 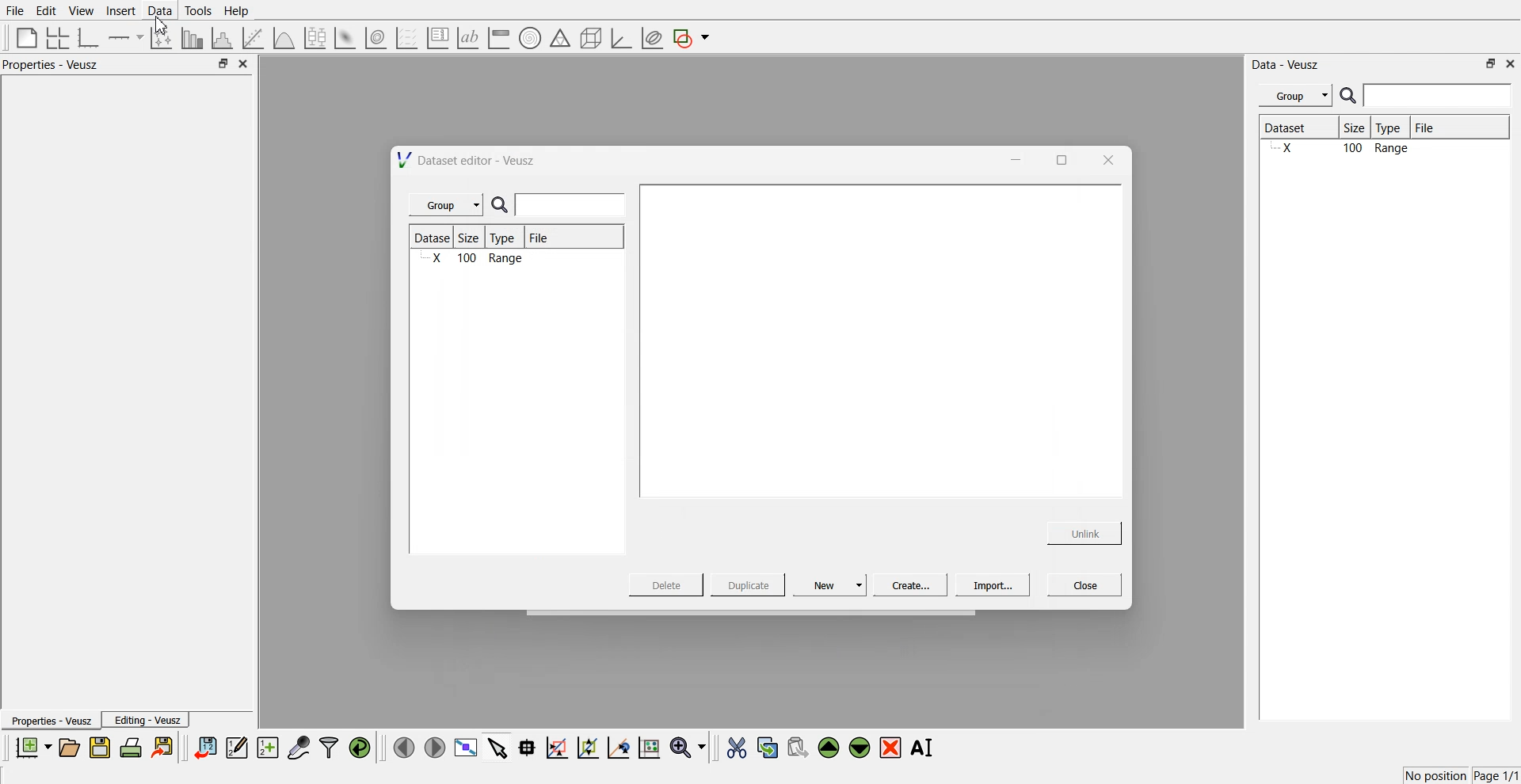 What do you see at coordinates (135, 747) in the screenshot?
I see `print` at bounding box center [135, 747].